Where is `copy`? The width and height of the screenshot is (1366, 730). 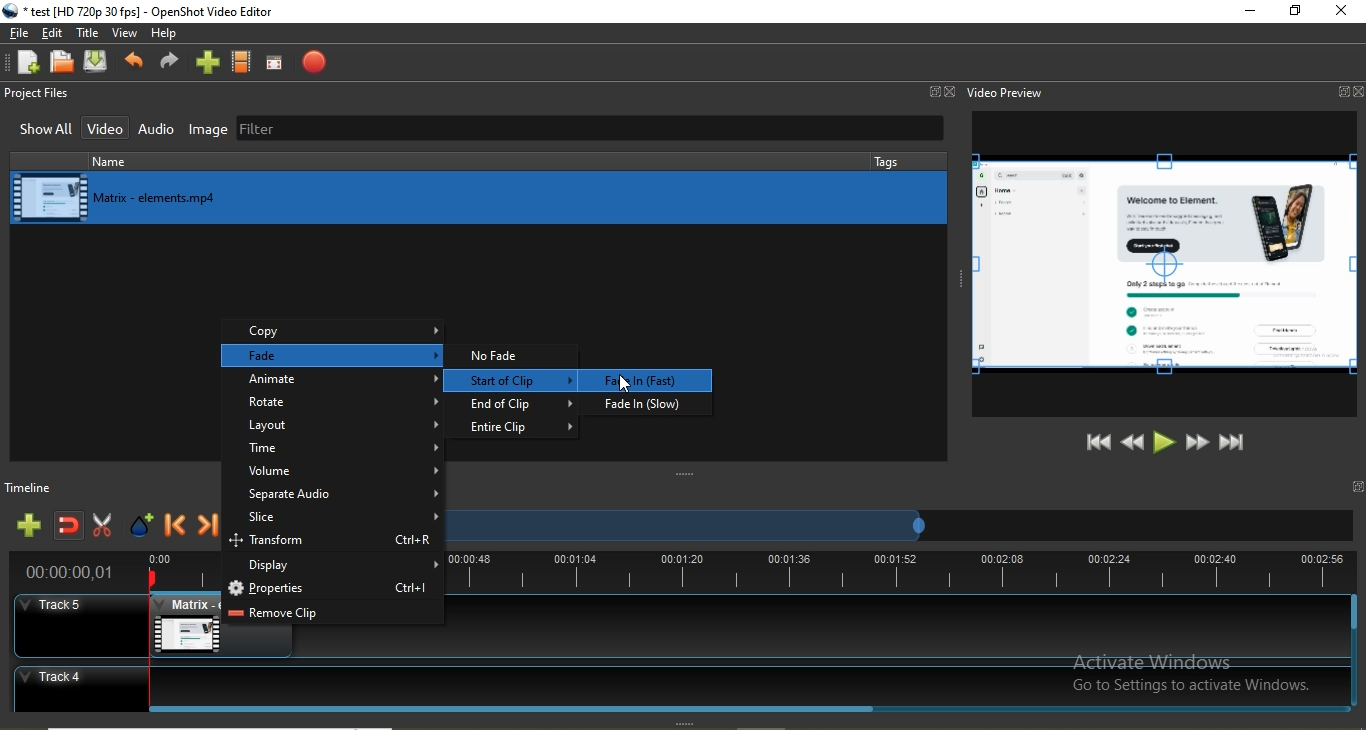
copy is located at coordinates (335, 330).